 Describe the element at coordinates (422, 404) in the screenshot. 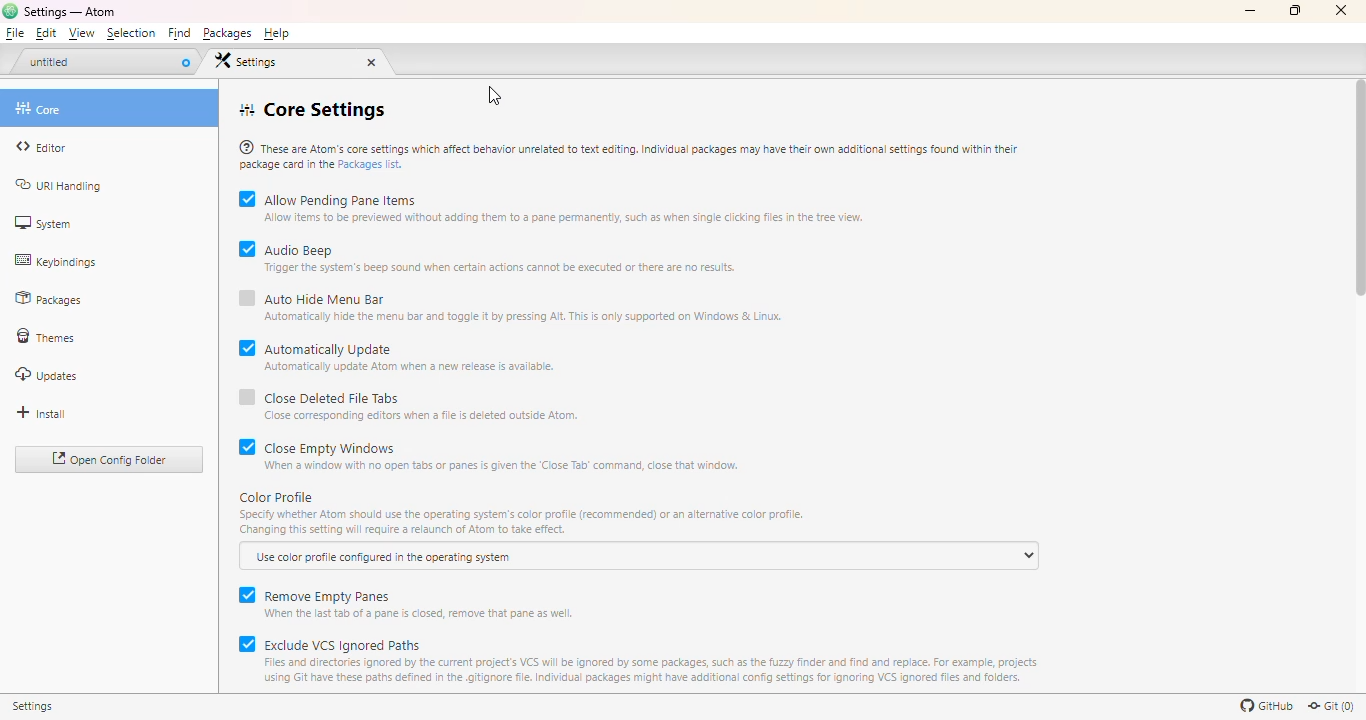

I see `close deleted file tabs` at that location.